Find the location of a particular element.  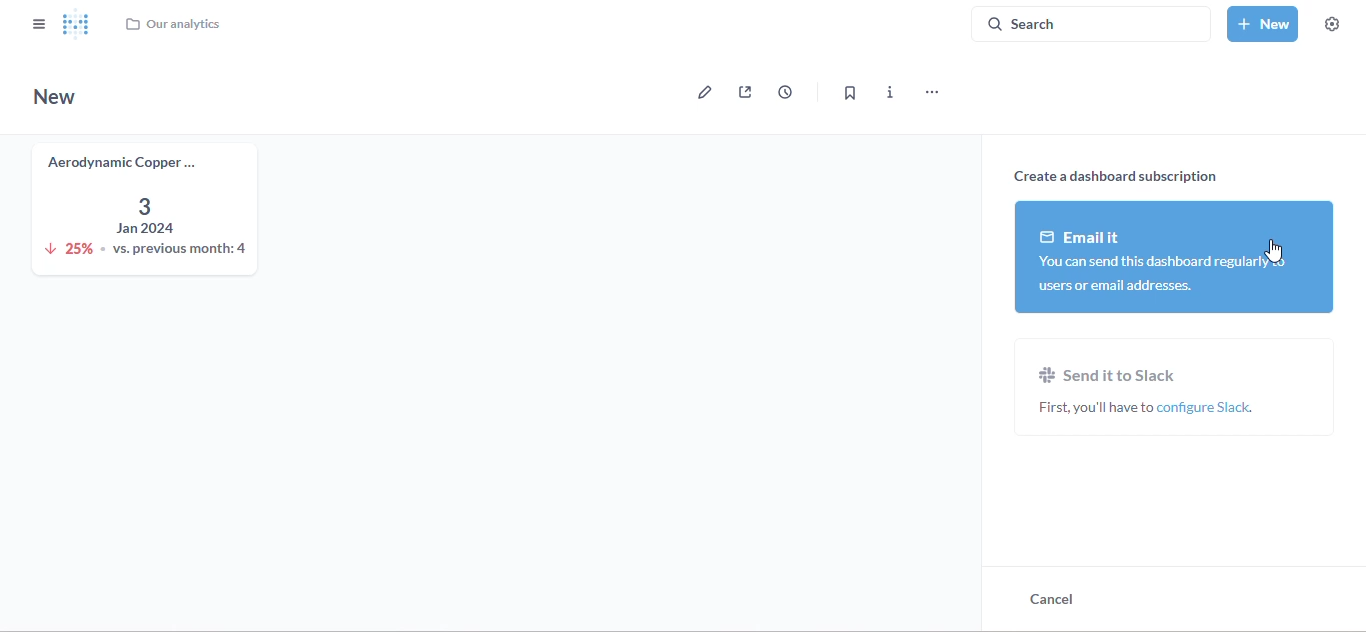

sharing is located at coordinates (745, 92).